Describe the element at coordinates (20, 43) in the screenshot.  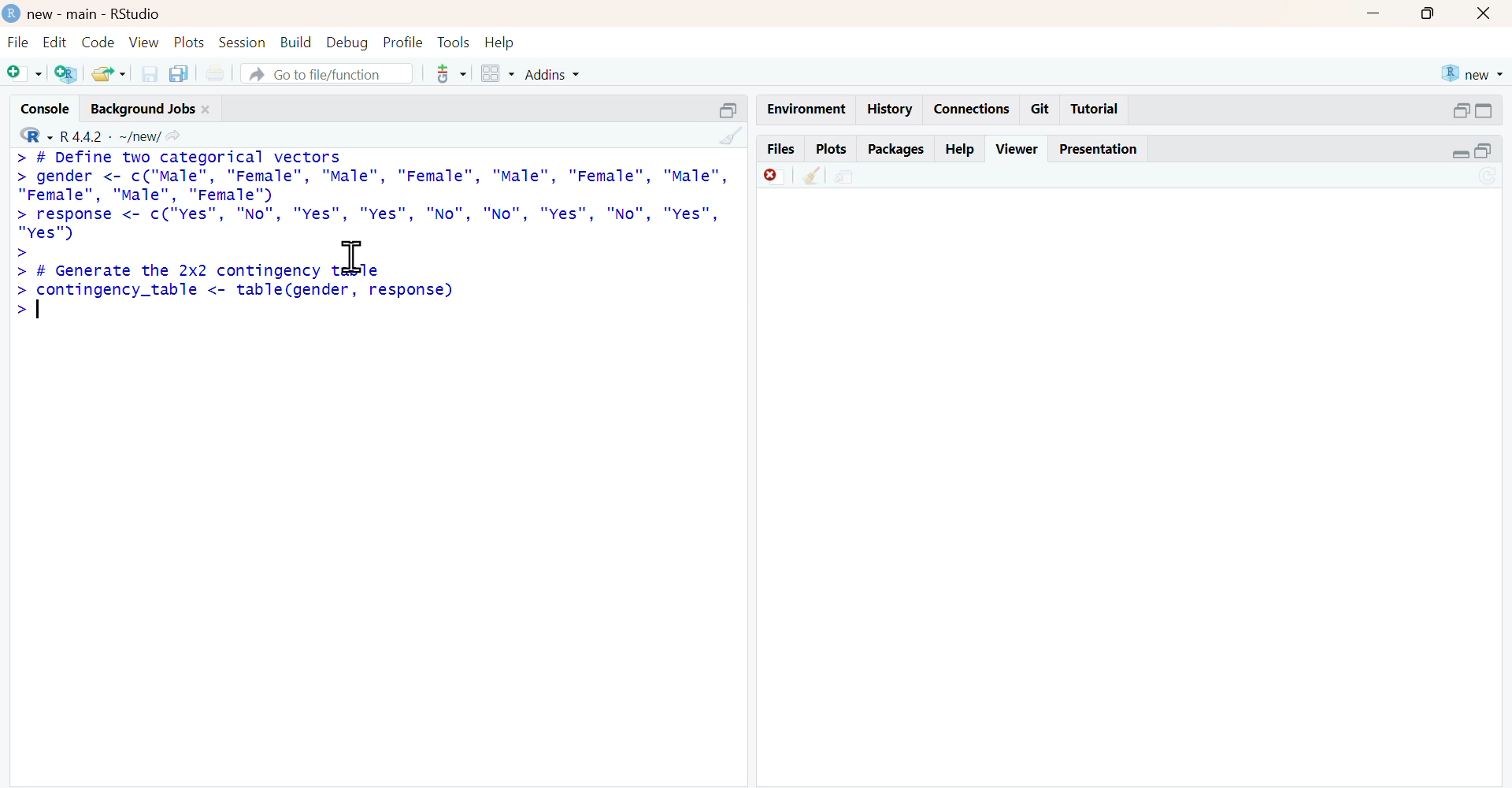
I see `file` at that location.